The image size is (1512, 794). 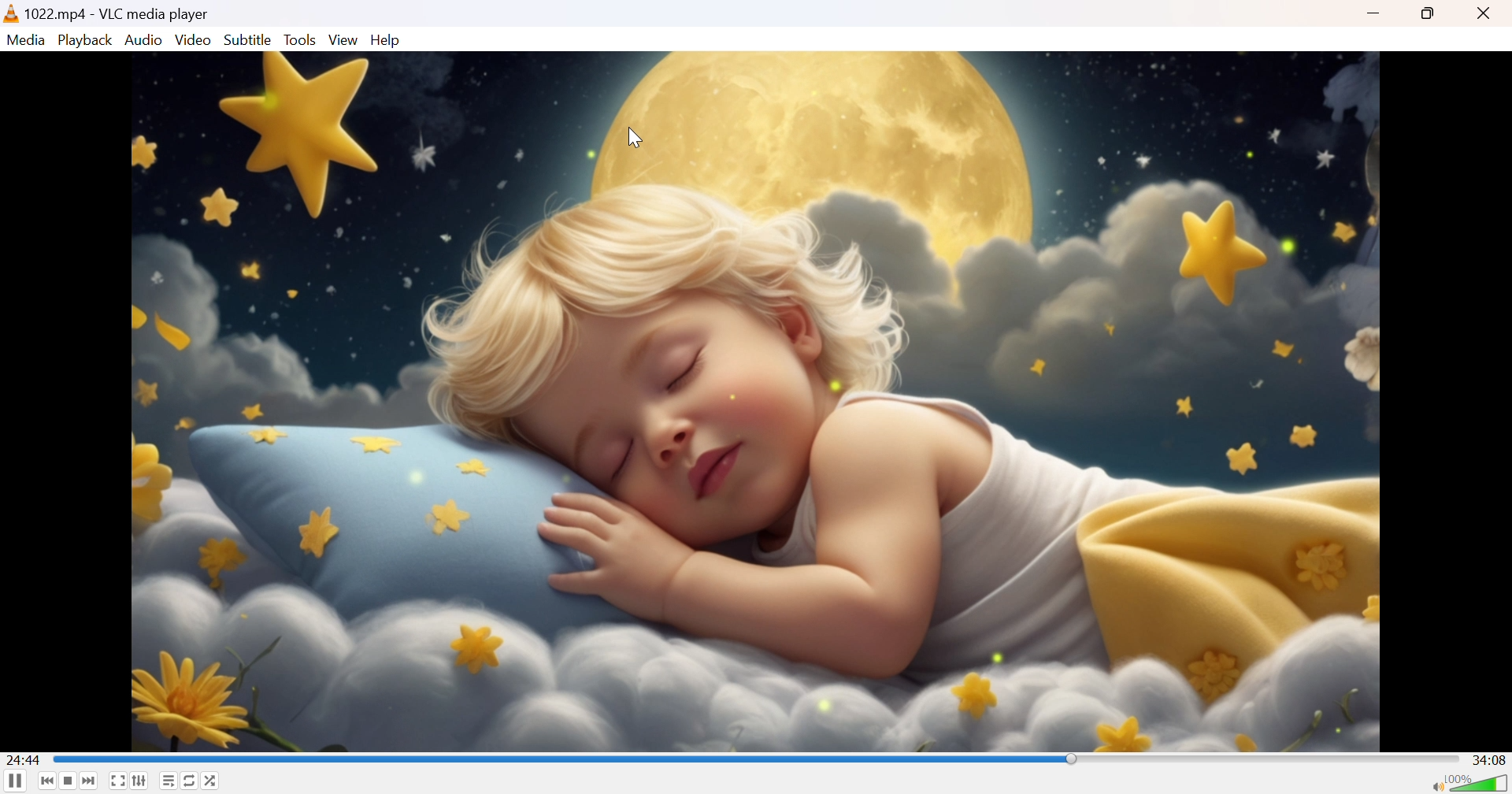 I want to click on Cursor, so click(x=636, y=137).